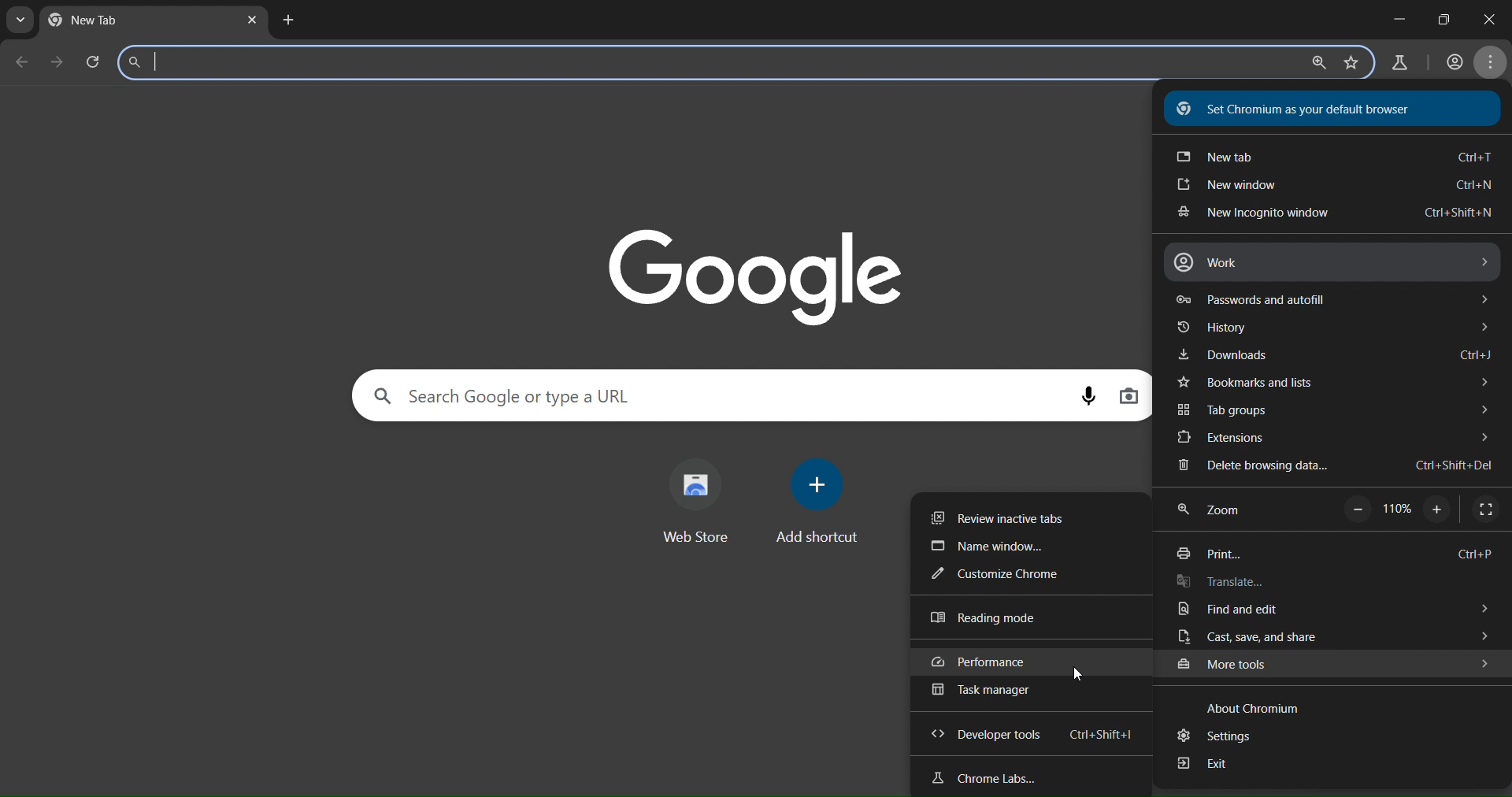  What do you see at coordinates (1084, 395) in the screenshot?
I see `voice search ` at bounding box center [1084, 395].